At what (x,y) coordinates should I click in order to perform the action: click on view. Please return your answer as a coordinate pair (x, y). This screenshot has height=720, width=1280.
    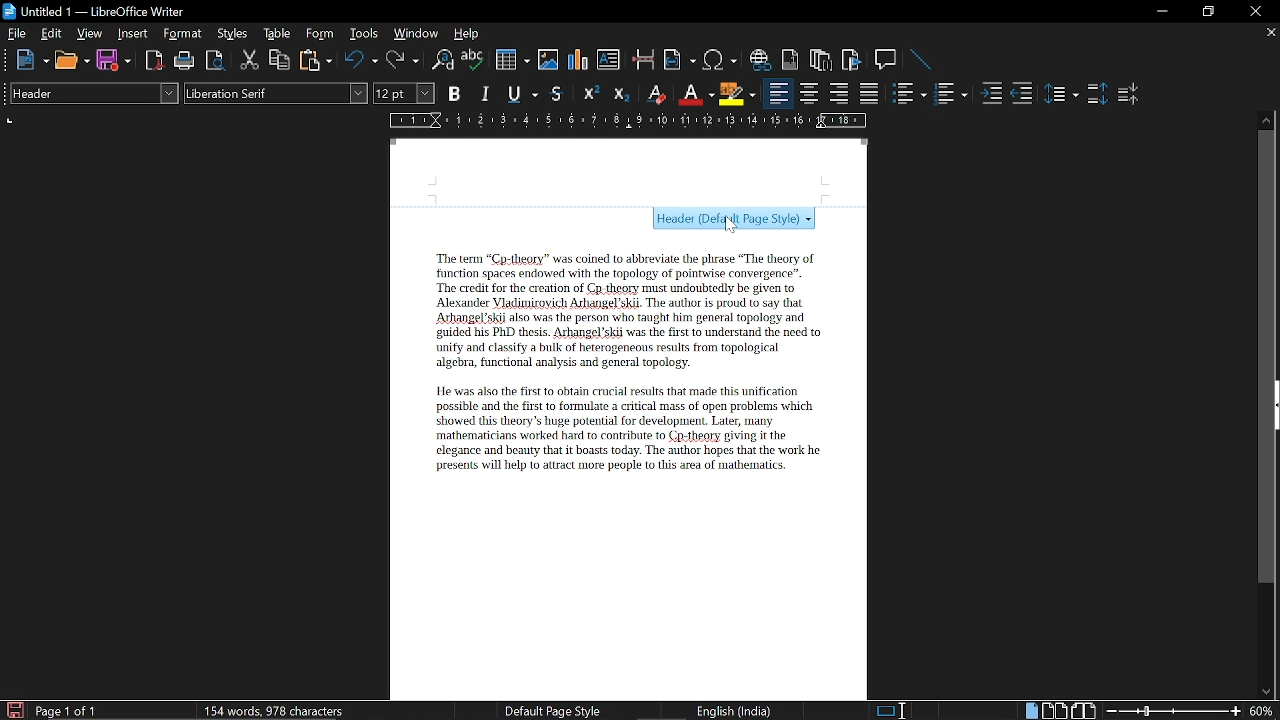
    Looking at the image, I should click on (90, 33).